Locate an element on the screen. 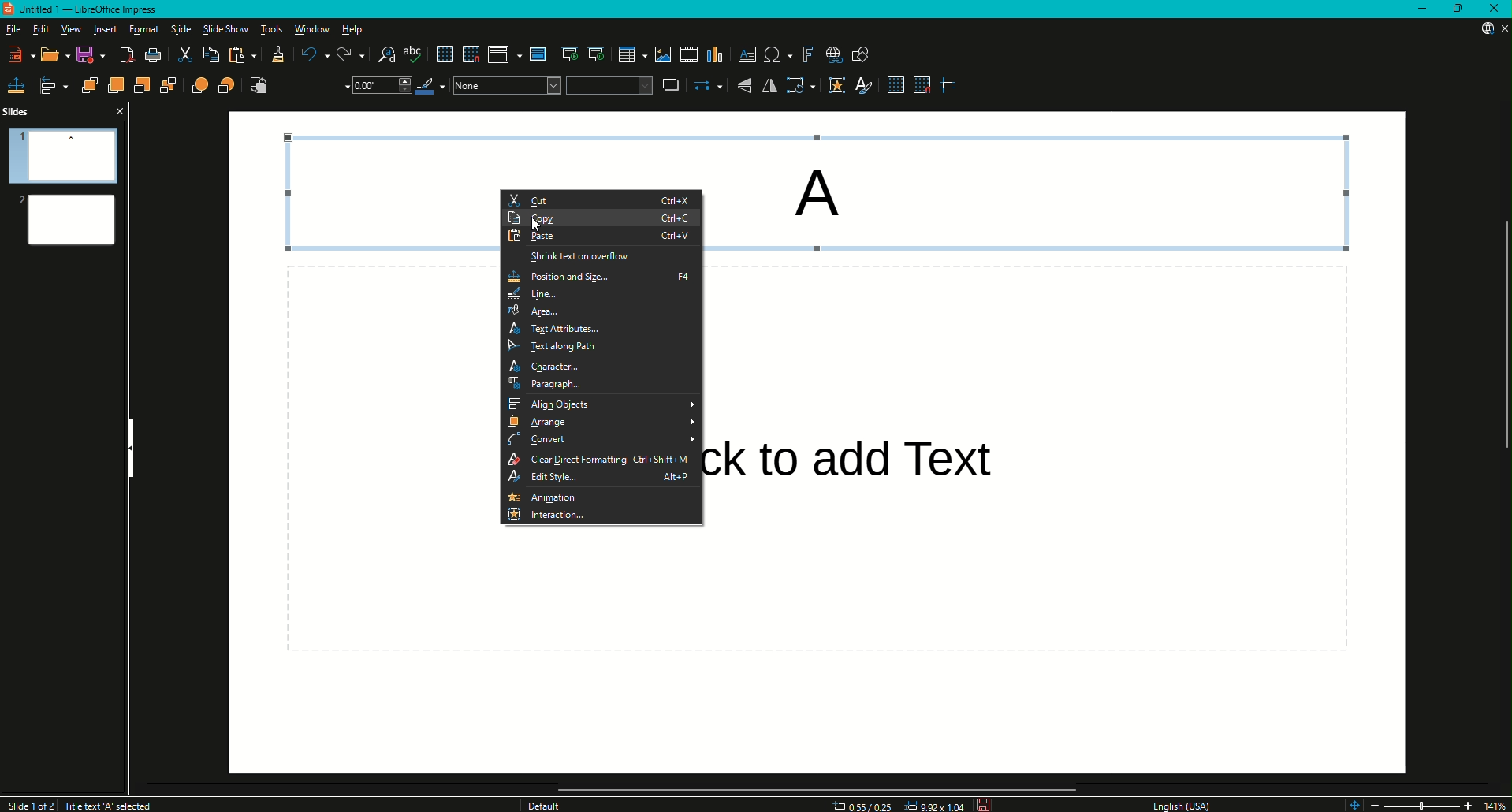 The width and height of the screenshot is (1512, 812). Position and Size is located at coordinates (17, 84).